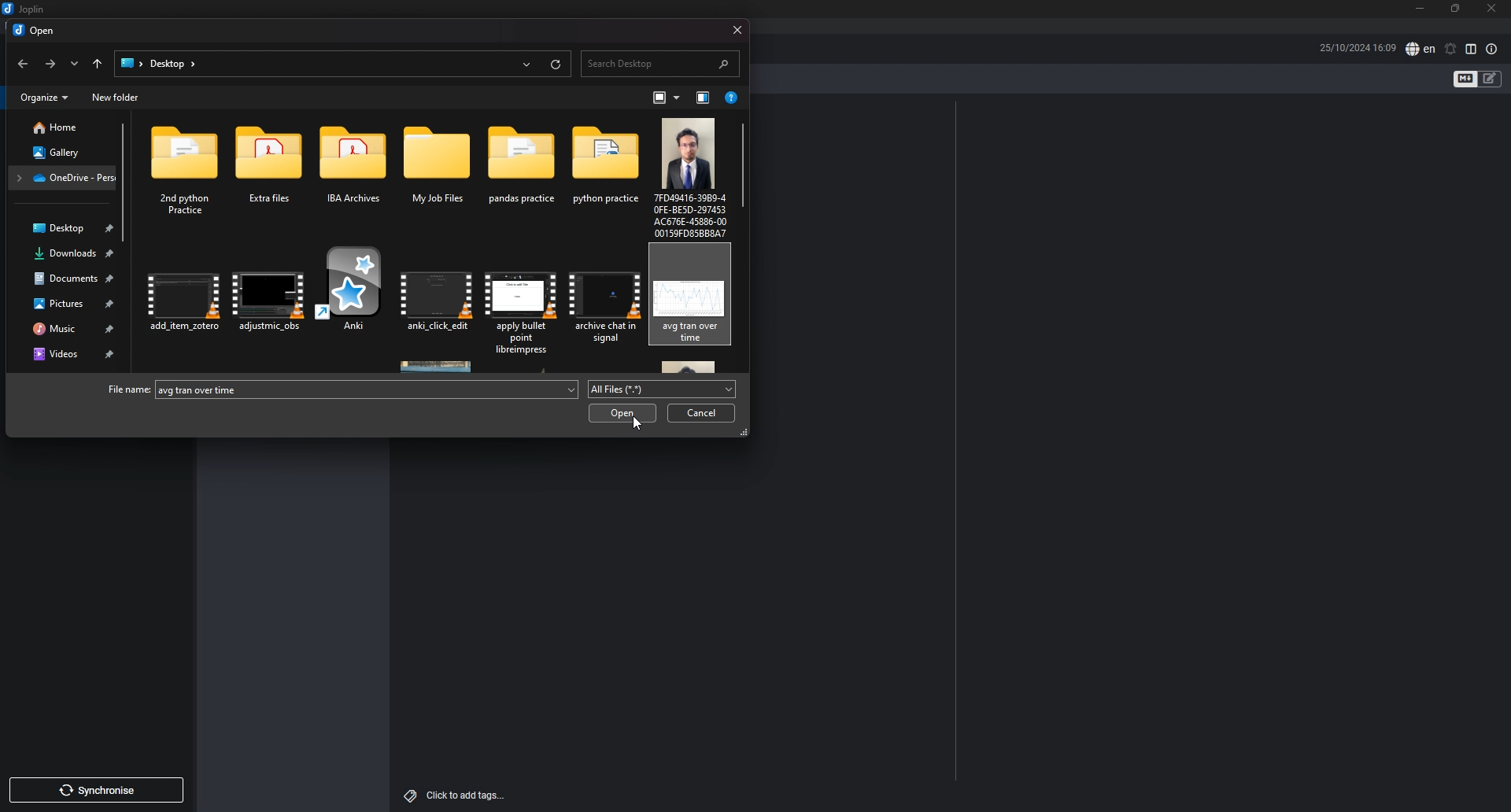 Image resolution: width=1511 pixels, height=812 pixels. I want to click on minimize, so click(1420, 9).